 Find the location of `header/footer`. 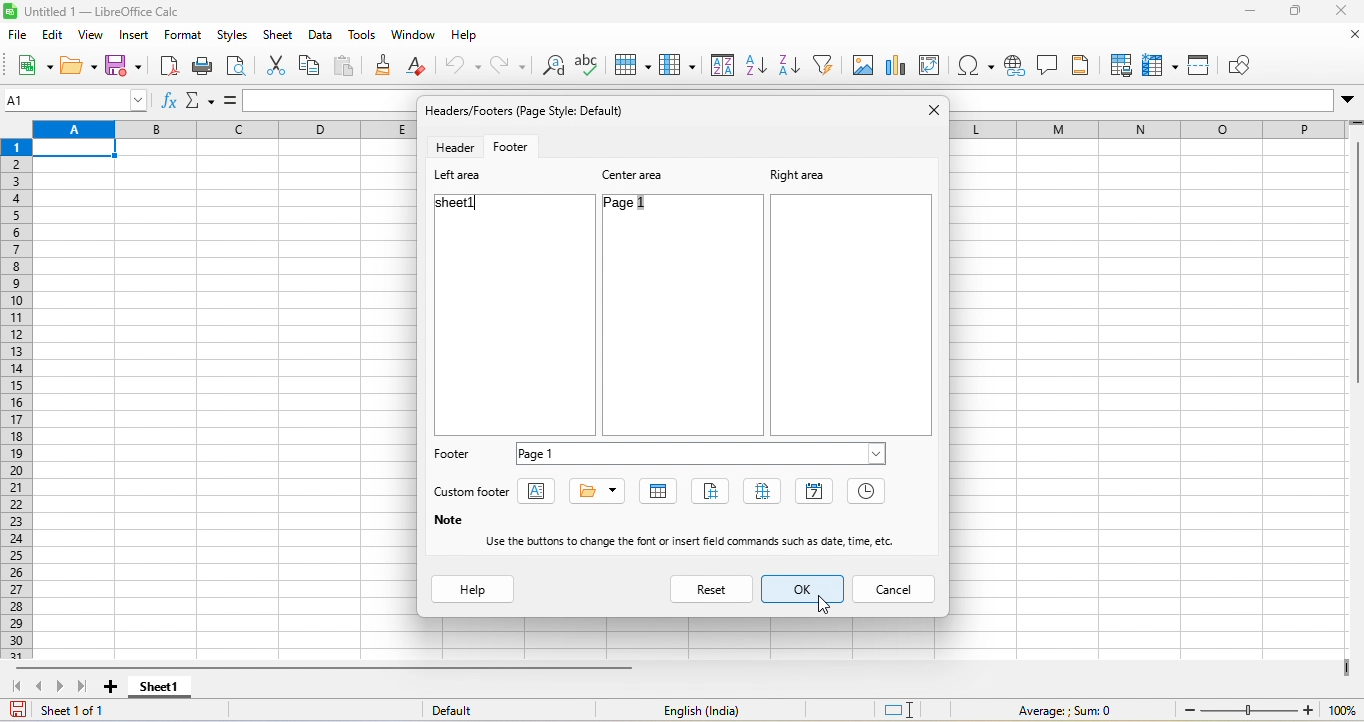

header/footer is located at coordinates (532, 110).